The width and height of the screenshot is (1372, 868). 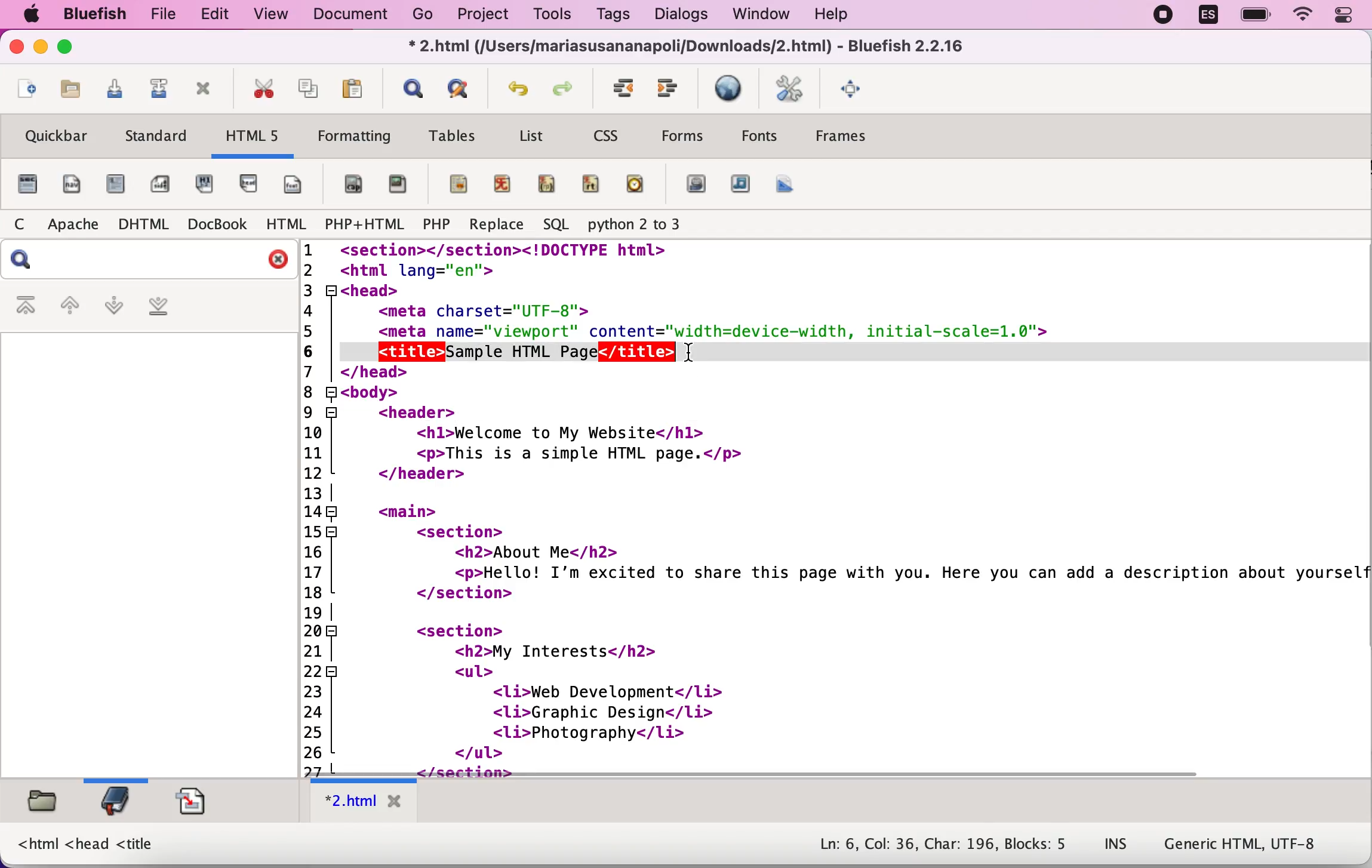 I want to click on new file, so click(x=24, y=93).